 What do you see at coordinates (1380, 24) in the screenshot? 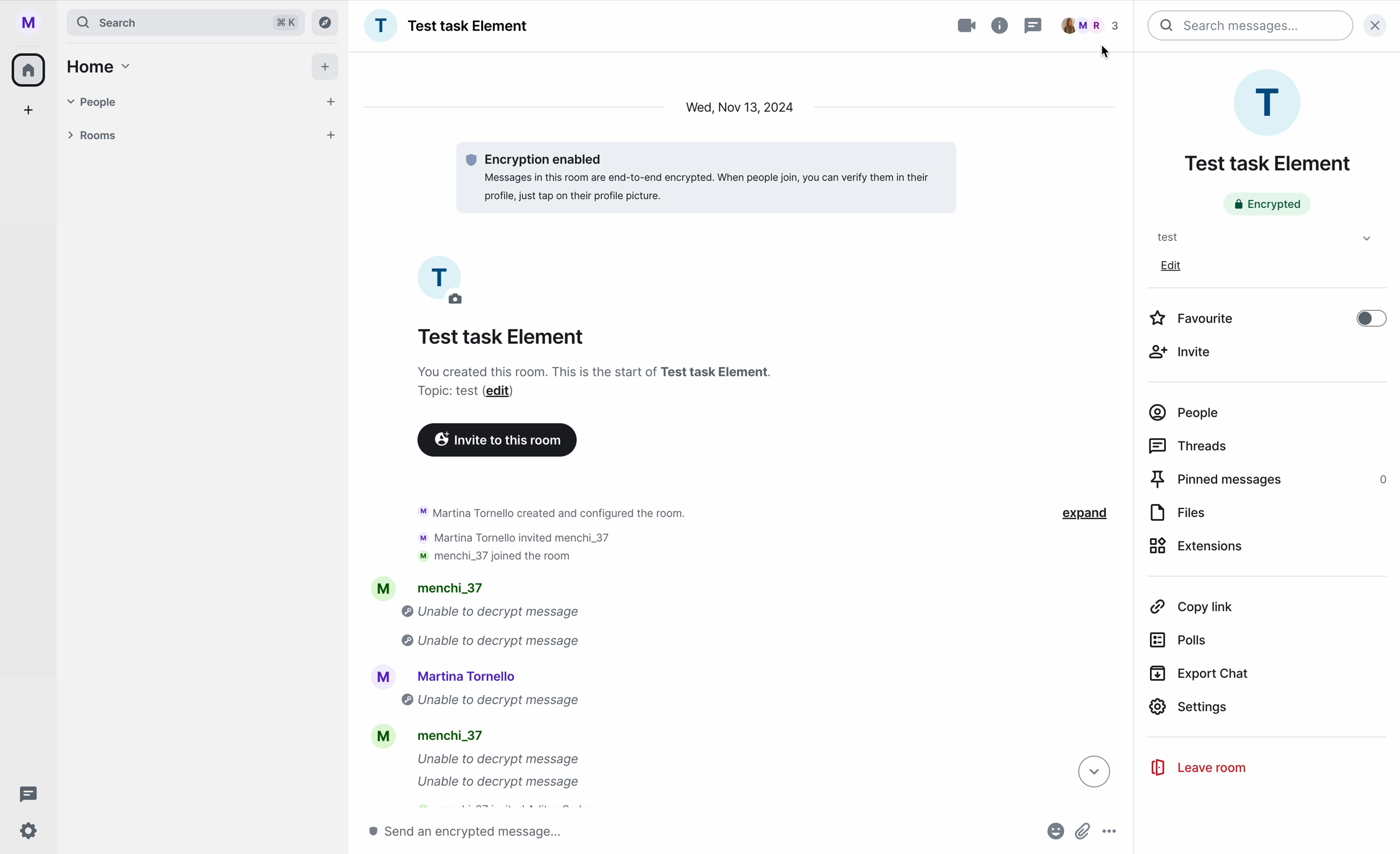
I see `close` at bounding box center [1380, 24].